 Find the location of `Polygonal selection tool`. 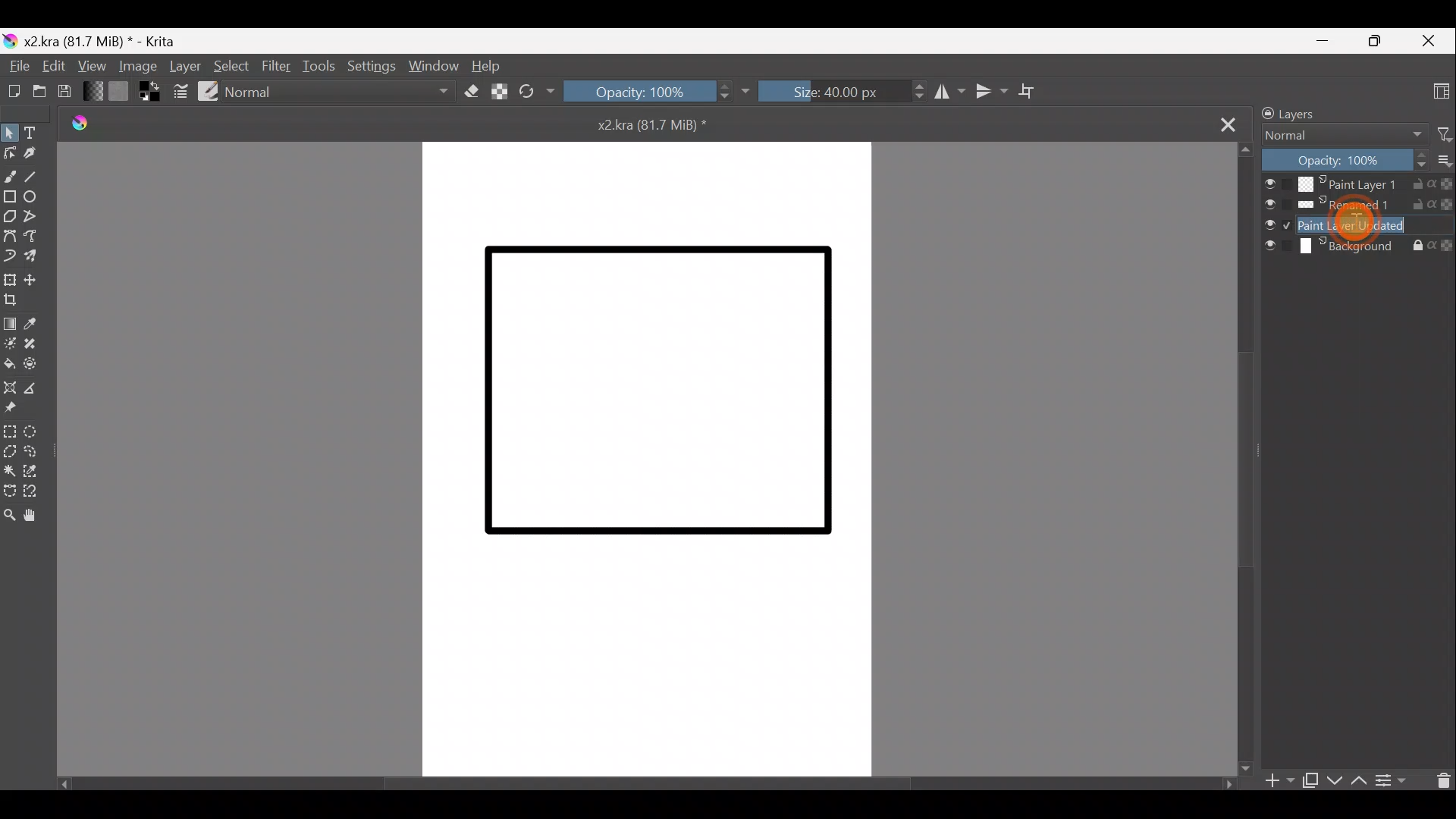

Polygonal selection tool is located at coordinates (9, 449).